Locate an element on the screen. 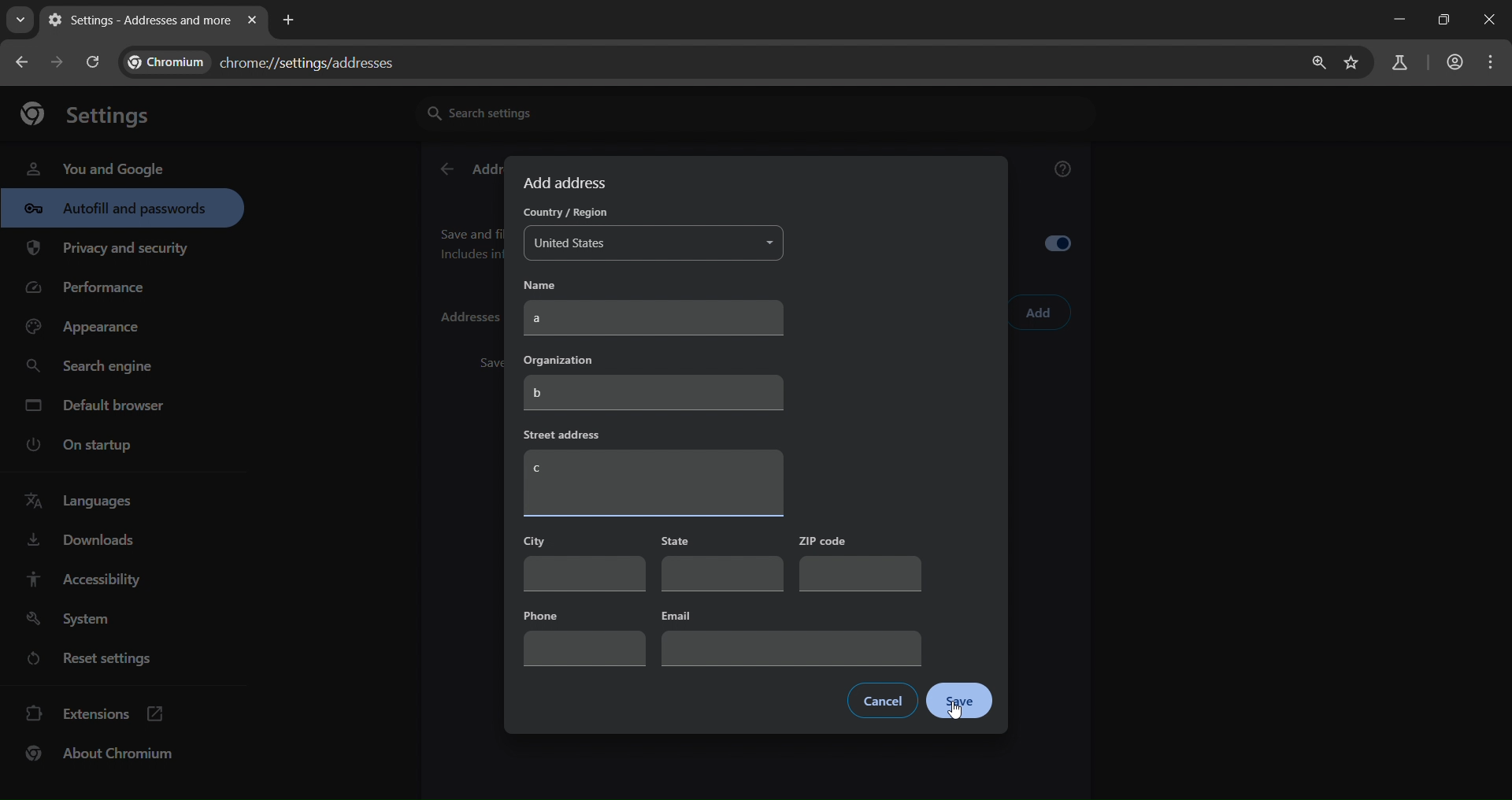  system is located at coordinates (72, 620).